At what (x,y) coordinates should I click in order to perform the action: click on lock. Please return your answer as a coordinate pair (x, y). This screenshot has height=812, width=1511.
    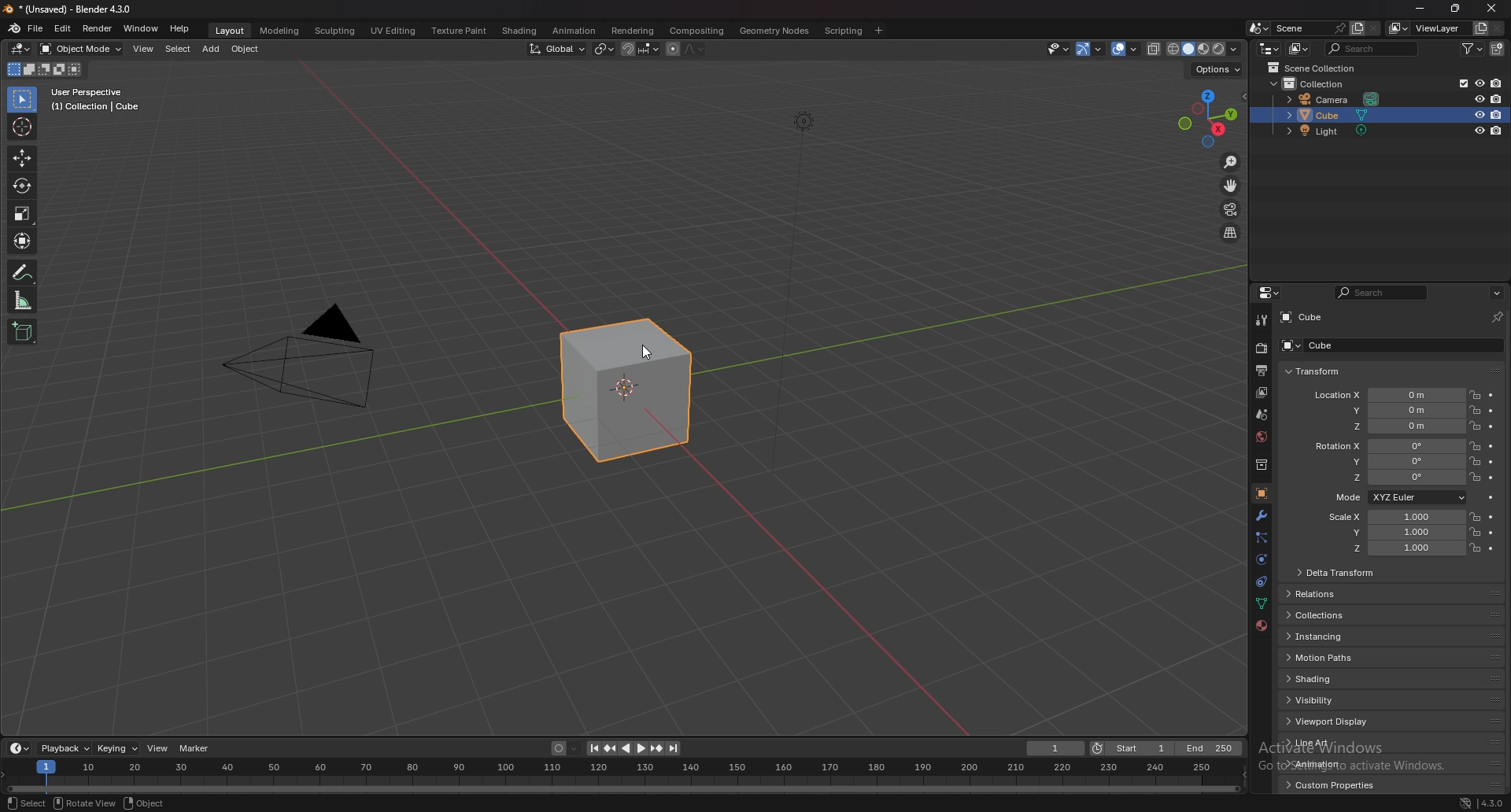
    Looking at the image, I should click on (1475, 426).